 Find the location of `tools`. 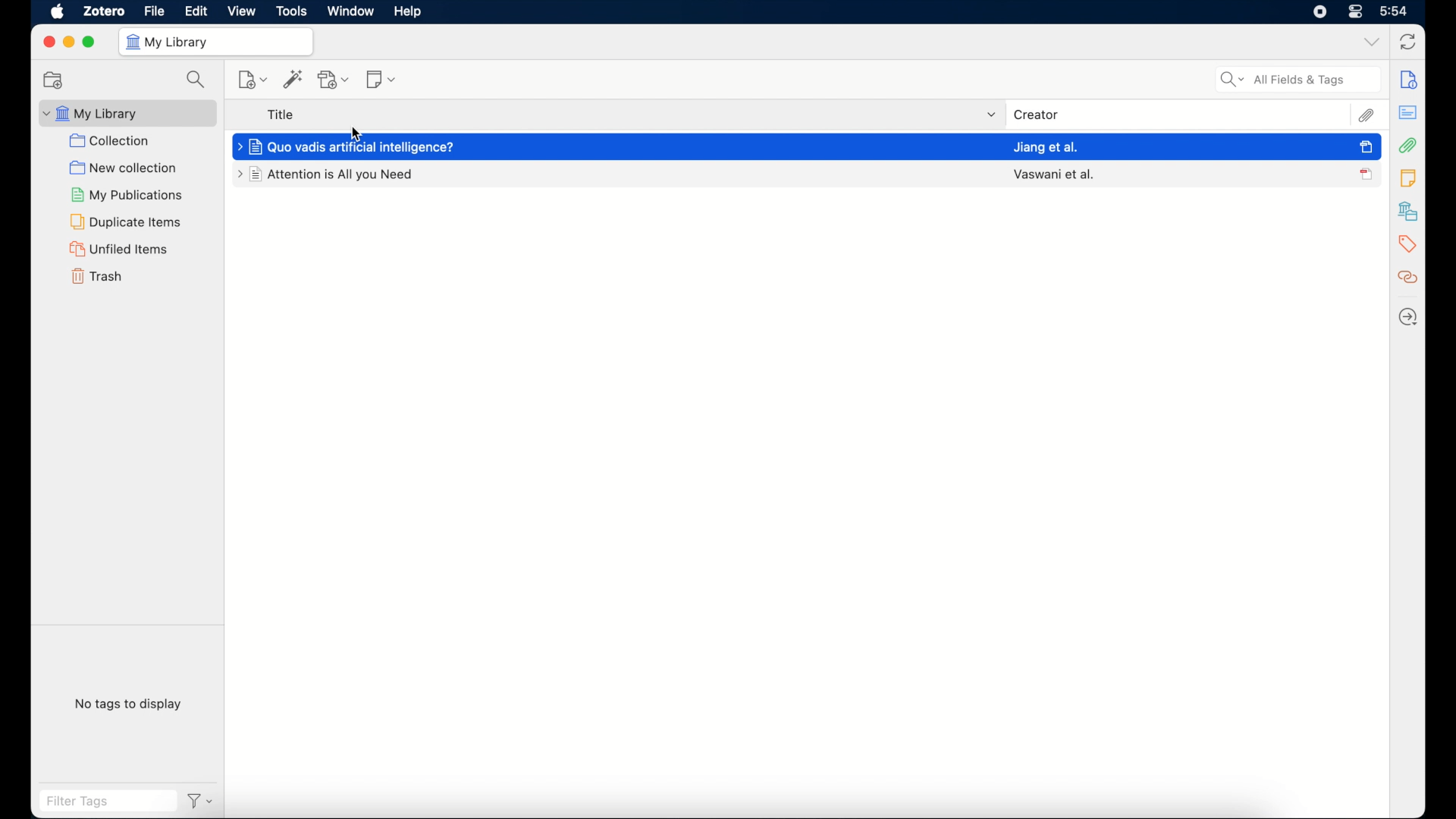

tools is located at coordinates (292, 11).